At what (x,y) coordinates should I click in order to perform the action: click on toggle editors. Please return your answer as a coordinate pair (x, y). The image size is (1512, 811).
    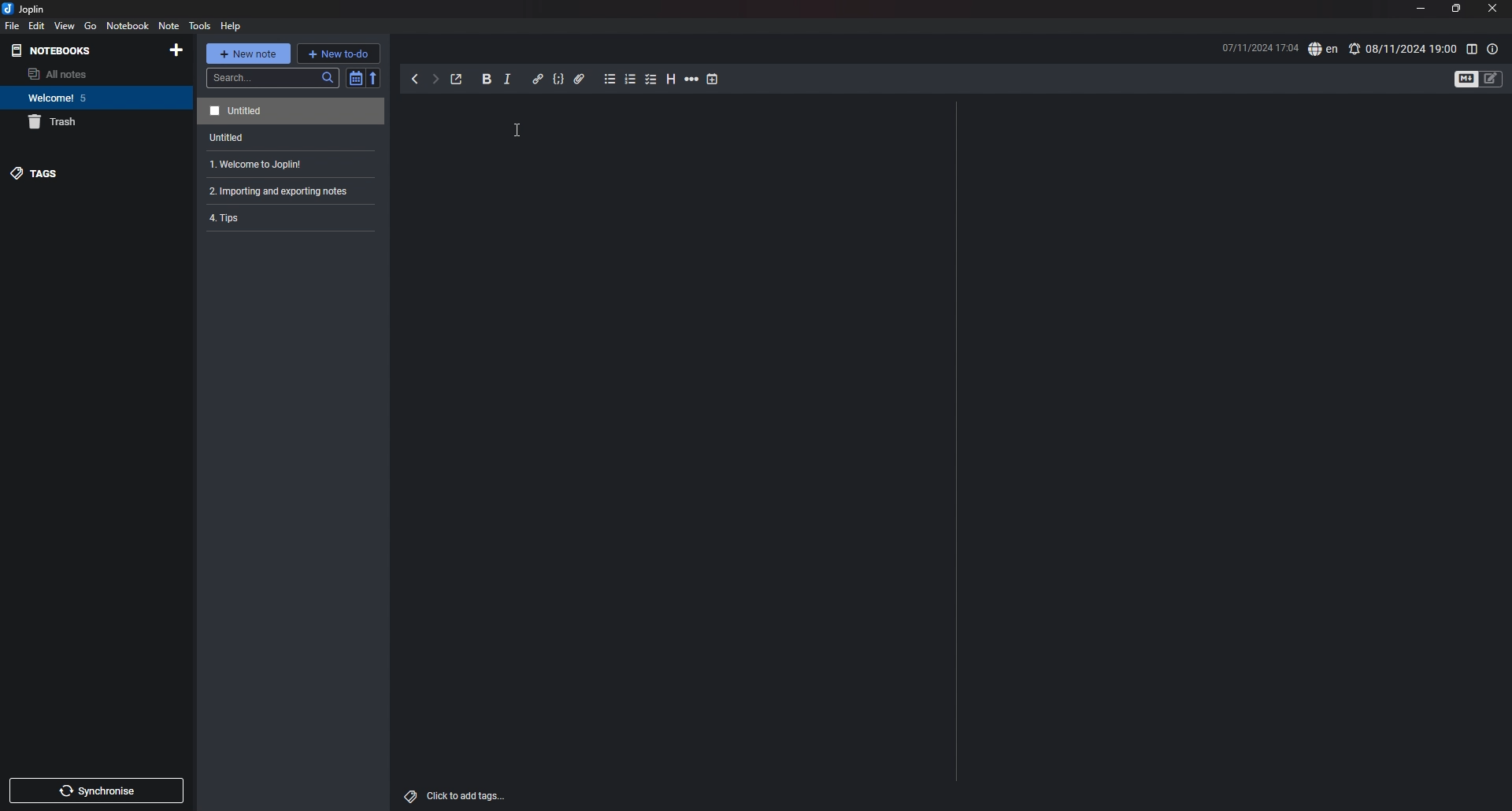
    Looking at the image, I should click on (1492, 79).